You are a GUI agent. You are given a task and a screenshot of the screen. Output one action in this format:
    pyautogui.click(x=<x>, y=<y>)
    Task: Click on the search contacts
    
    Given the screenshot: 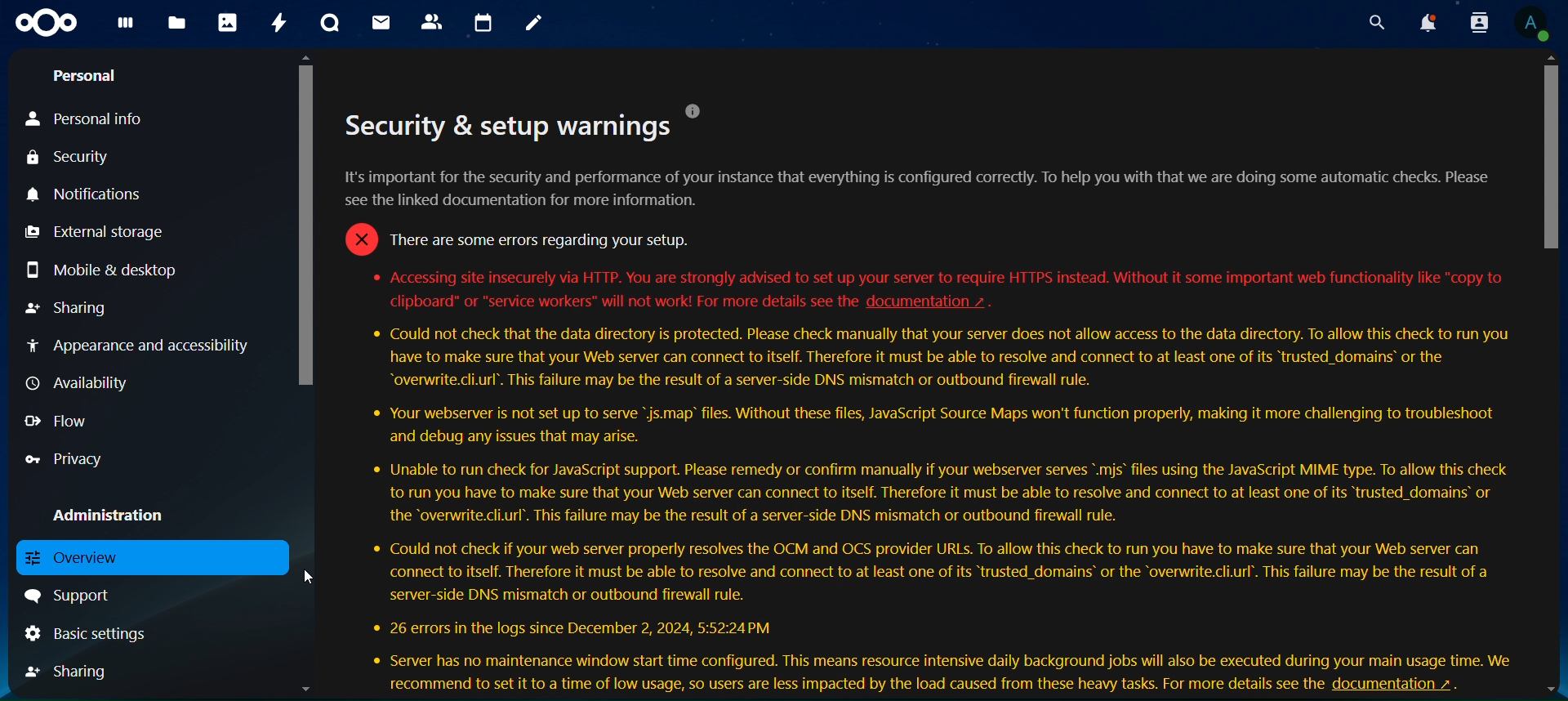 What is the action you would take?
    pyautogui.click(x=1479, y=23)
    